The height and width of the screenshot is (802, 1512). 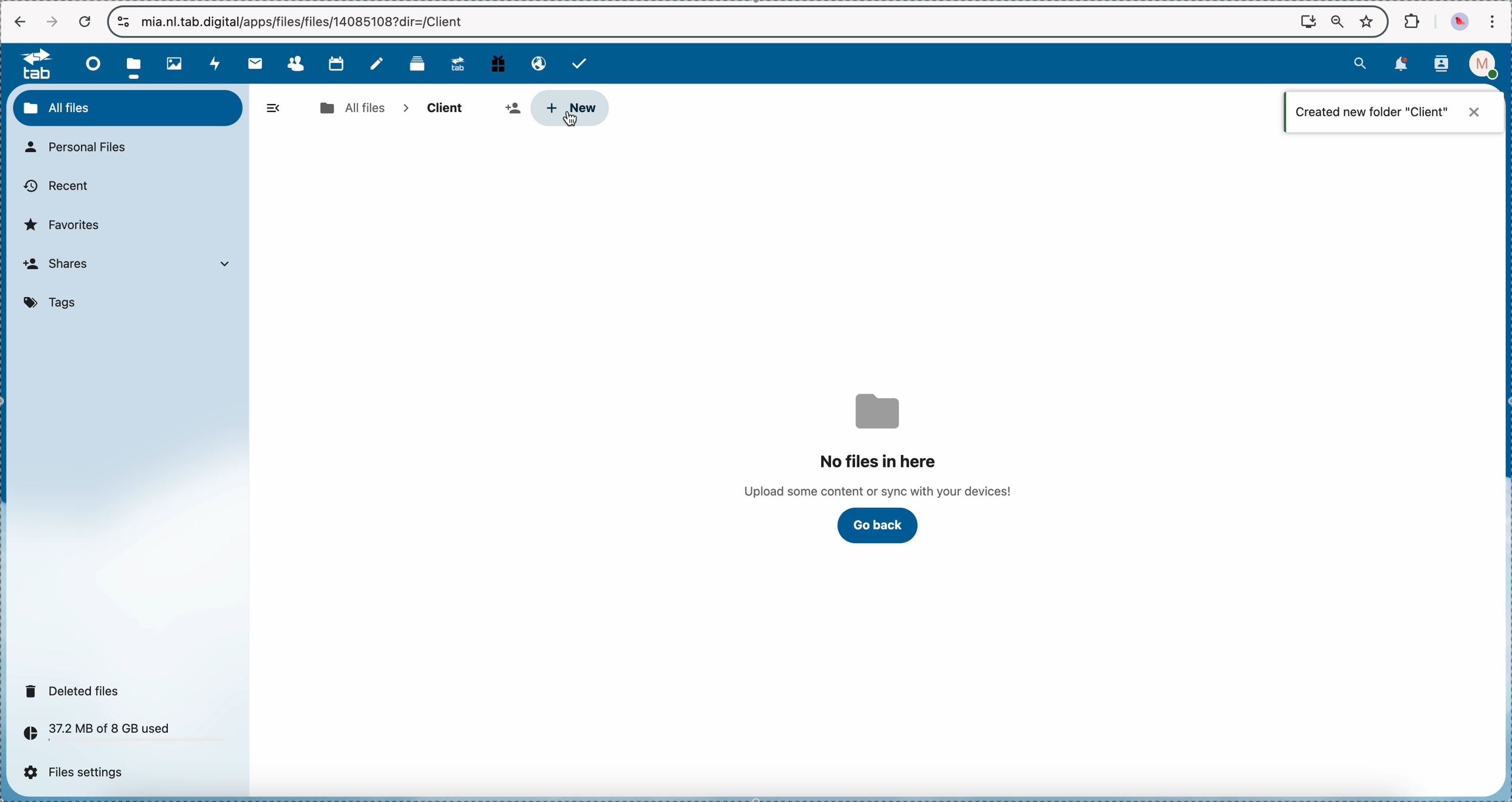 What do you see at coordinates (352, 108) in the screenshot?
I see `all files` at bounding box center [352, 108].